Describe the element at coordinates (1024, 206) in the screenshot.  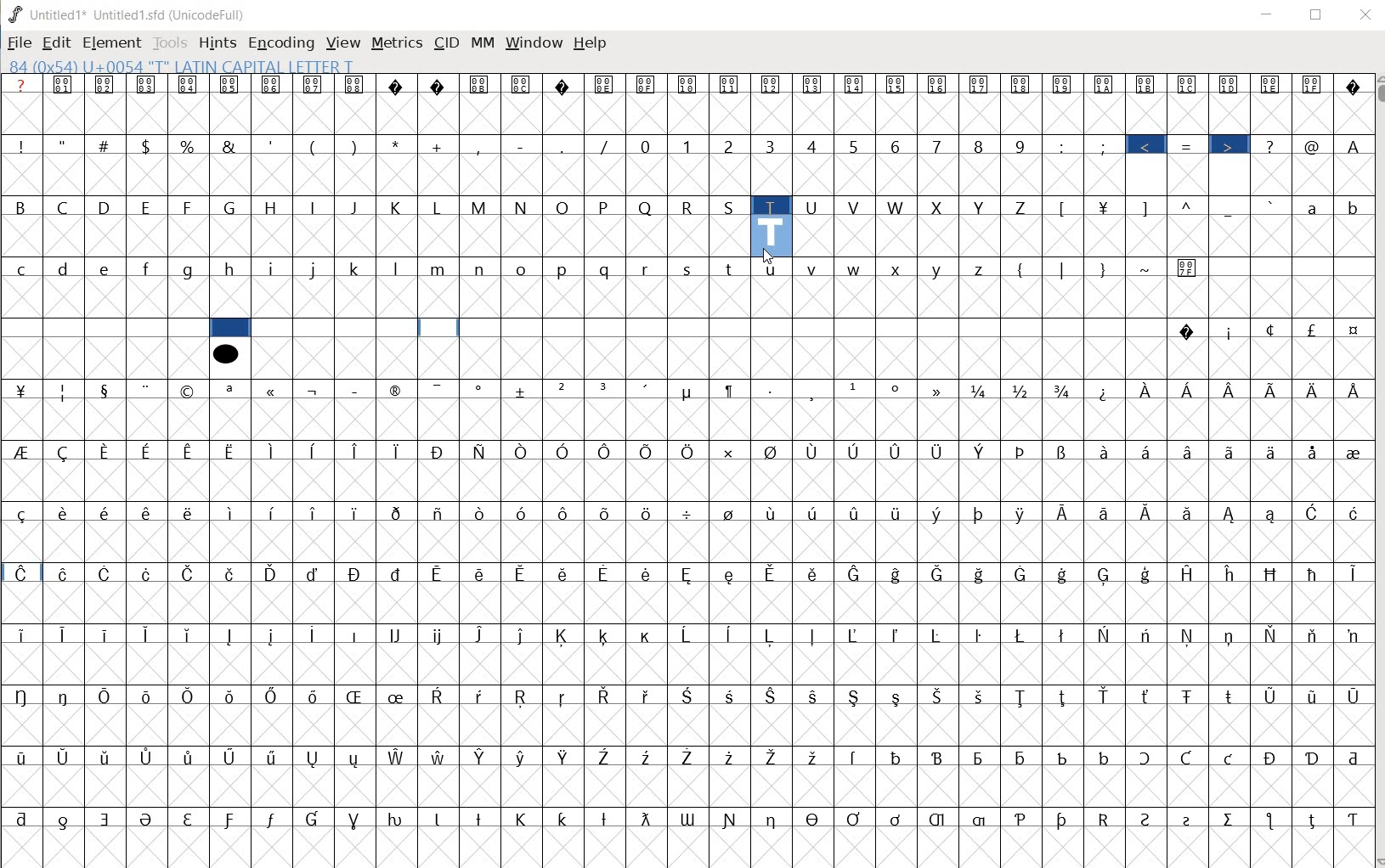
I see `Z` at that location.